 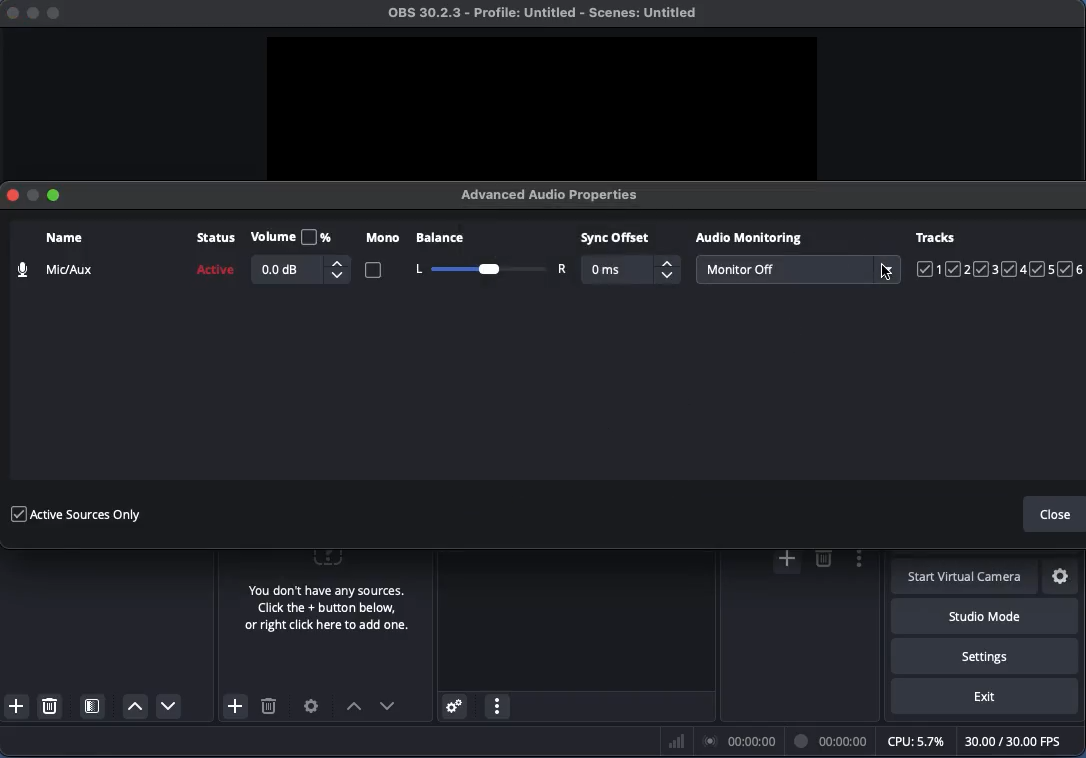 I want to click on Time, so click(x=833, y=740).